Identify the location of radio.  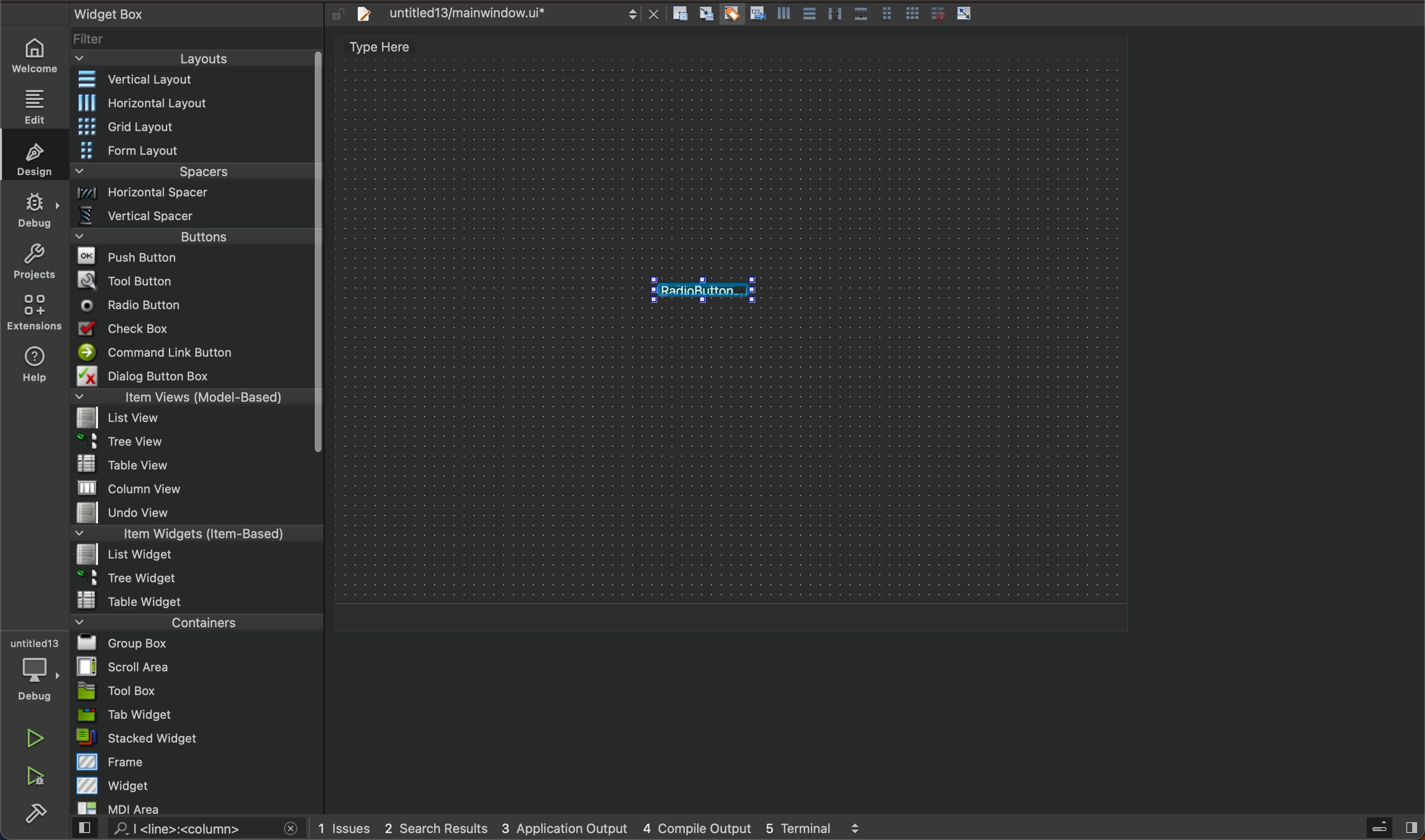
(192, 306).